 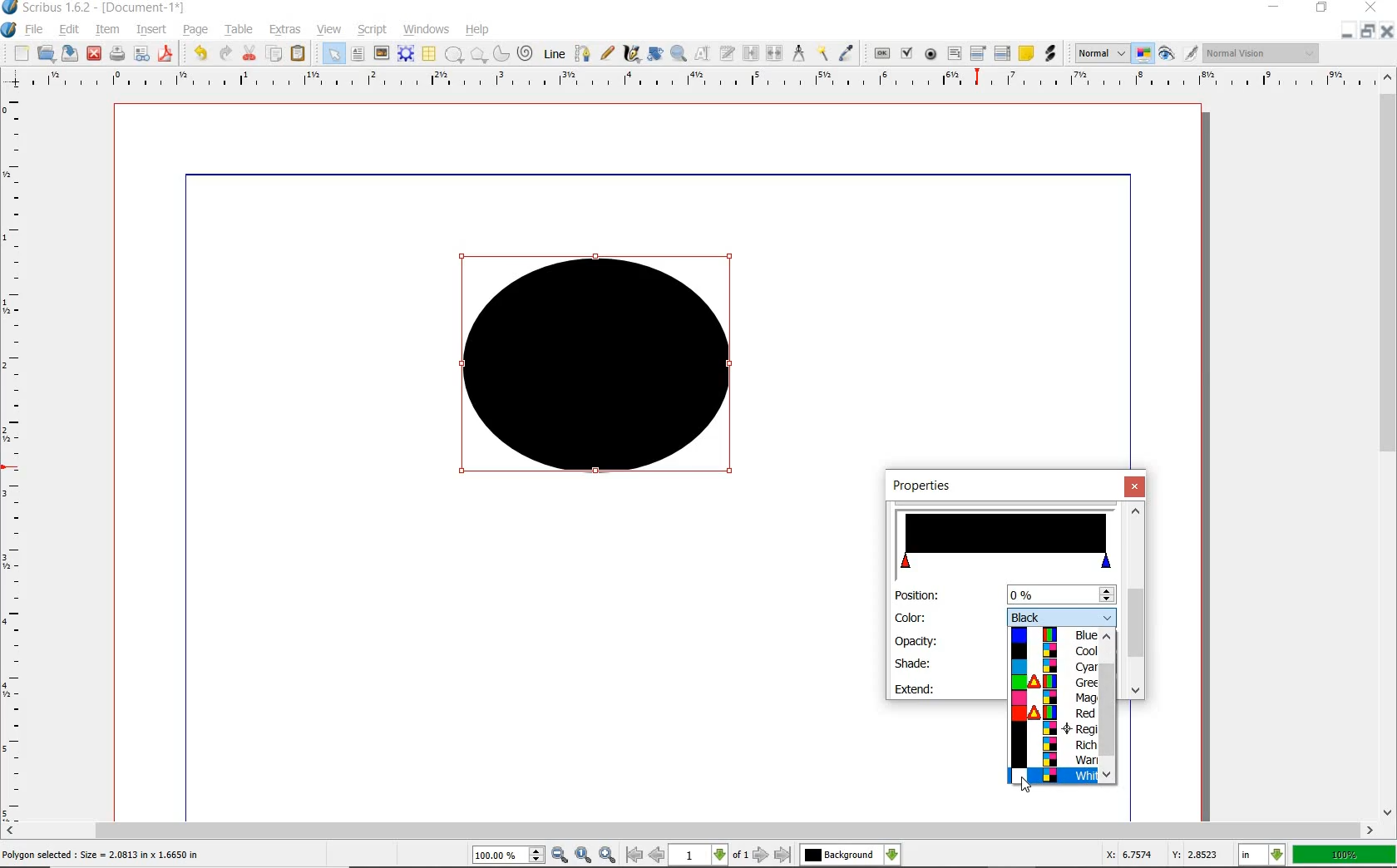 What do you see at coordinates (329, 28) in the screenshot?
I see `VIEW` at bounding box center [329, 28].